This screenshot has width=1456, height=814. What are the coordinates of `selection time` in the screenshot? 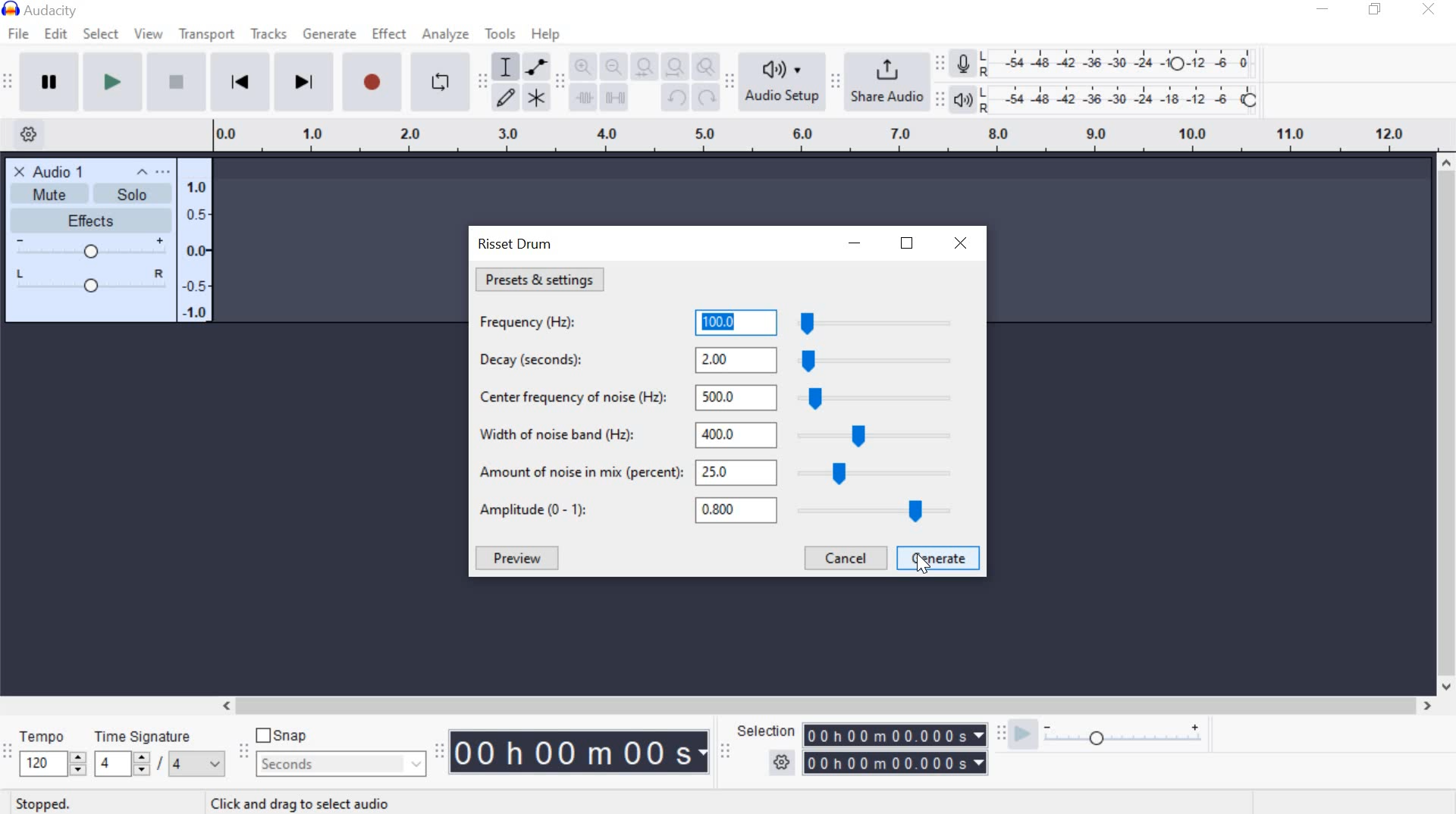 It's located at (896, 748).